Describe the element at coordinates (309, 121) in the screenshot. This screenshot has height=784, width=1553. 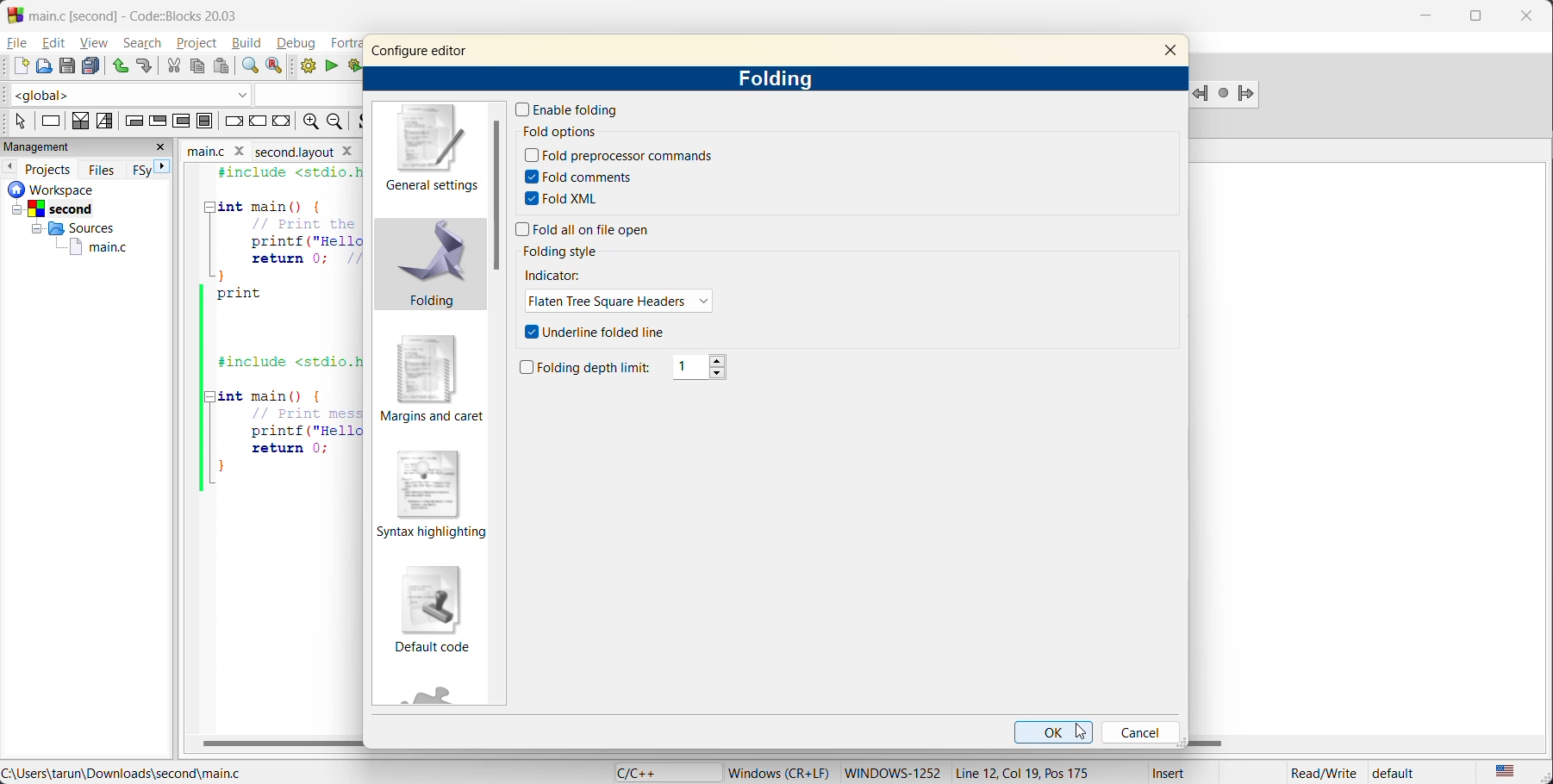
I see `zoom in` at that location.